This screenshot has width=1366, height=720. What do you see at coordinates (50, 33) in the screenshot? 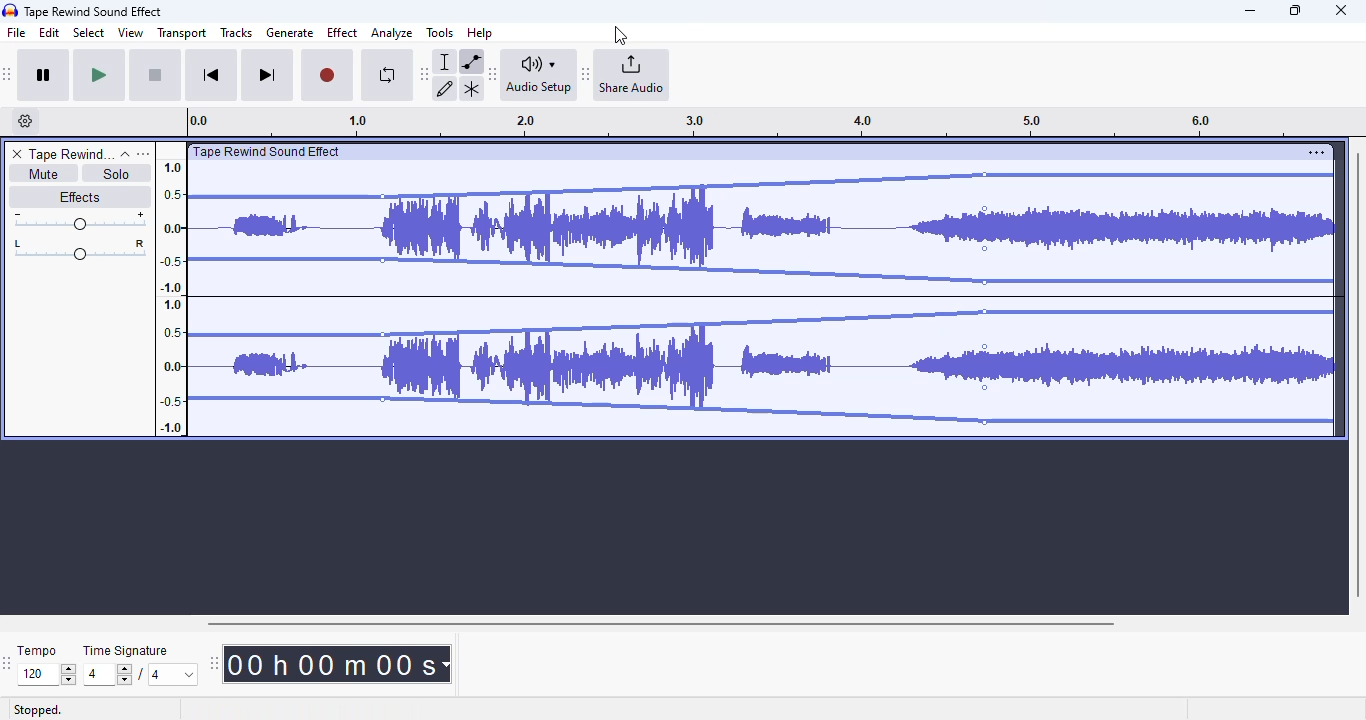
I see `edit` at bounding box center [50, 33].